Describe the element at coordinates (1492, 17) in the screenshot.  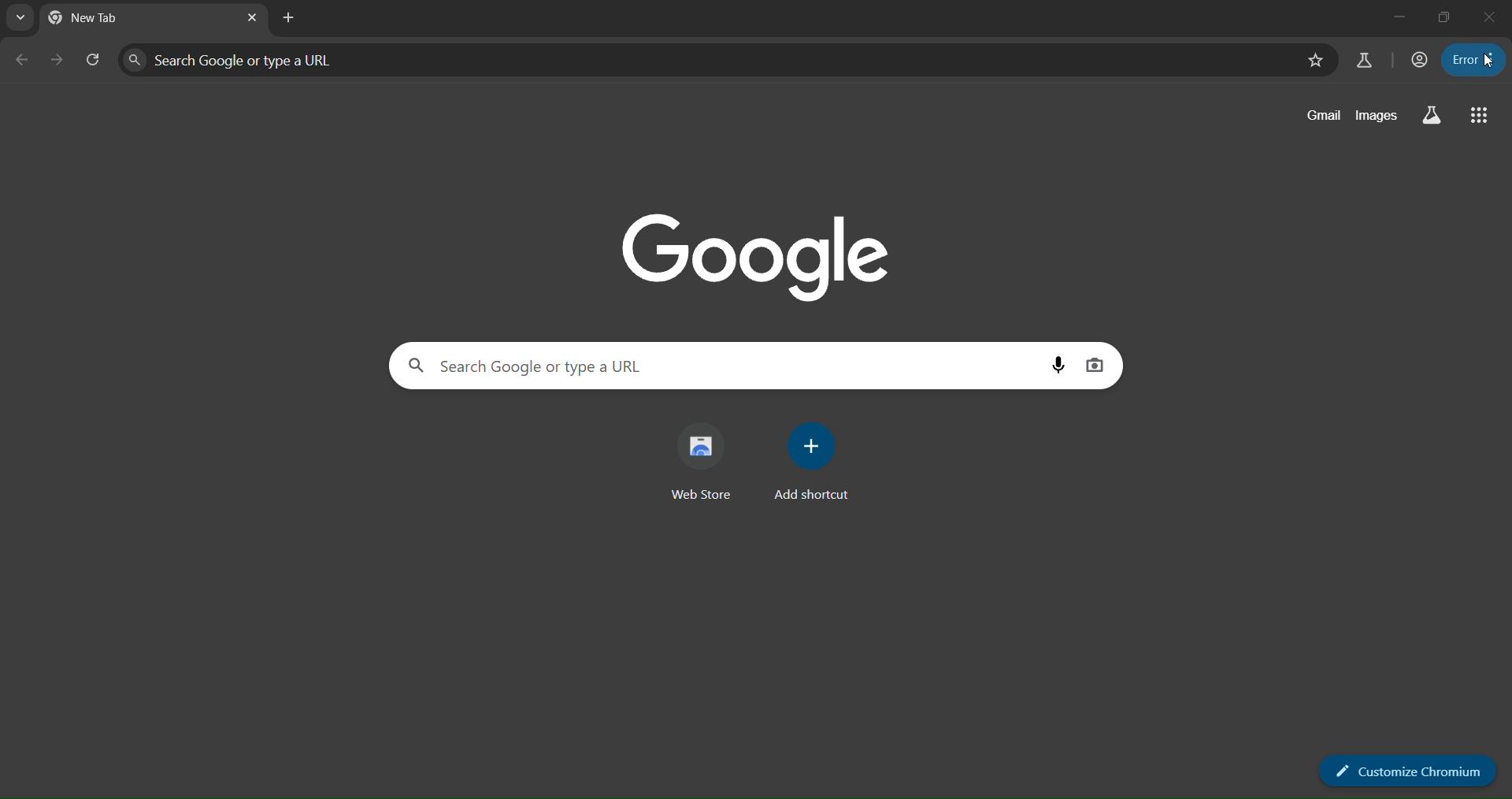
I see `close` at that location.